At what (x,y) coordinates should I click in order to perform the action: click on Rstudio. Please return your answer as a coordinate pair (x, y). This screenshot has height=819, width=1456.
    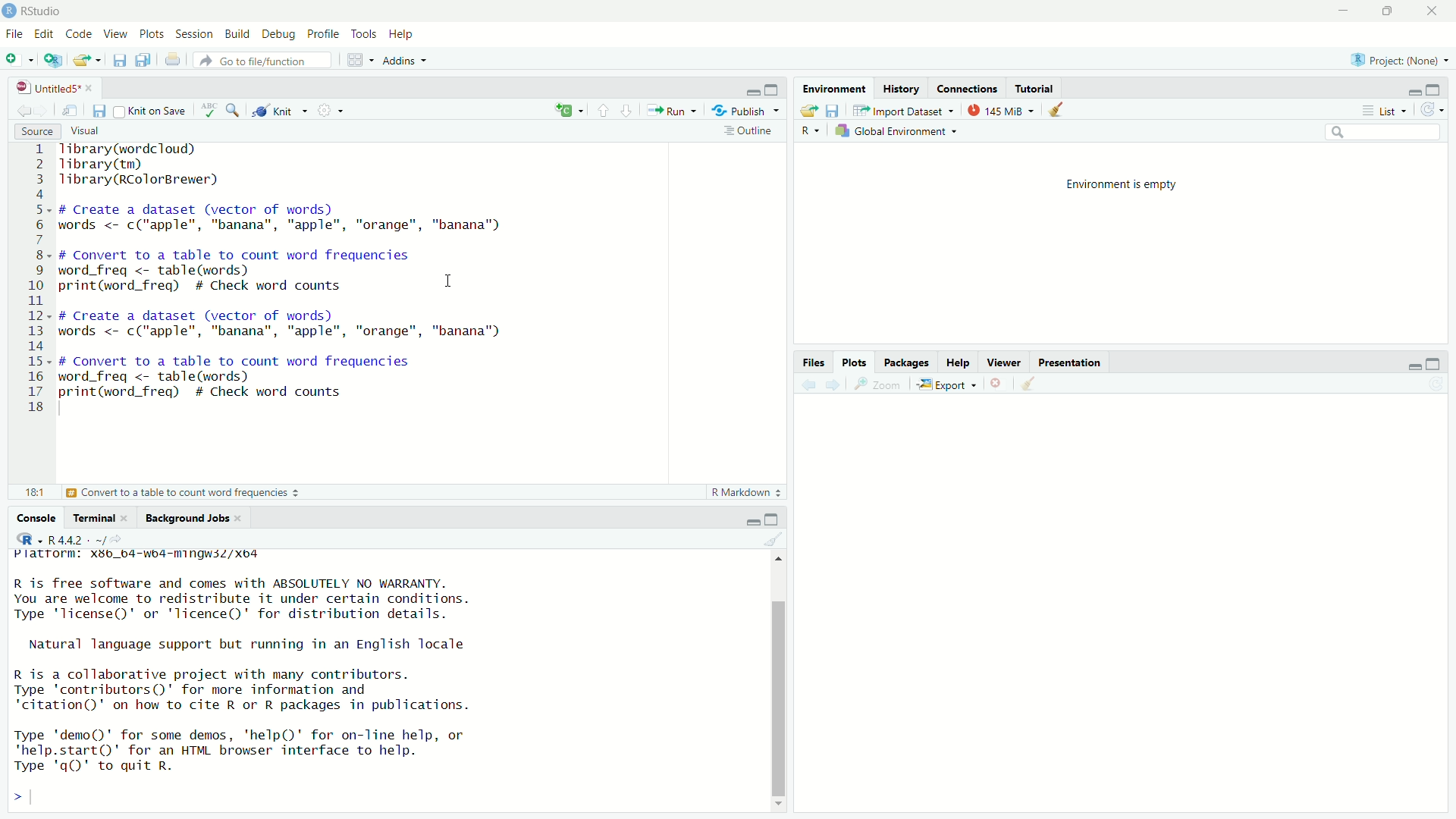
    Looking at the image, I should click on (35, 10).